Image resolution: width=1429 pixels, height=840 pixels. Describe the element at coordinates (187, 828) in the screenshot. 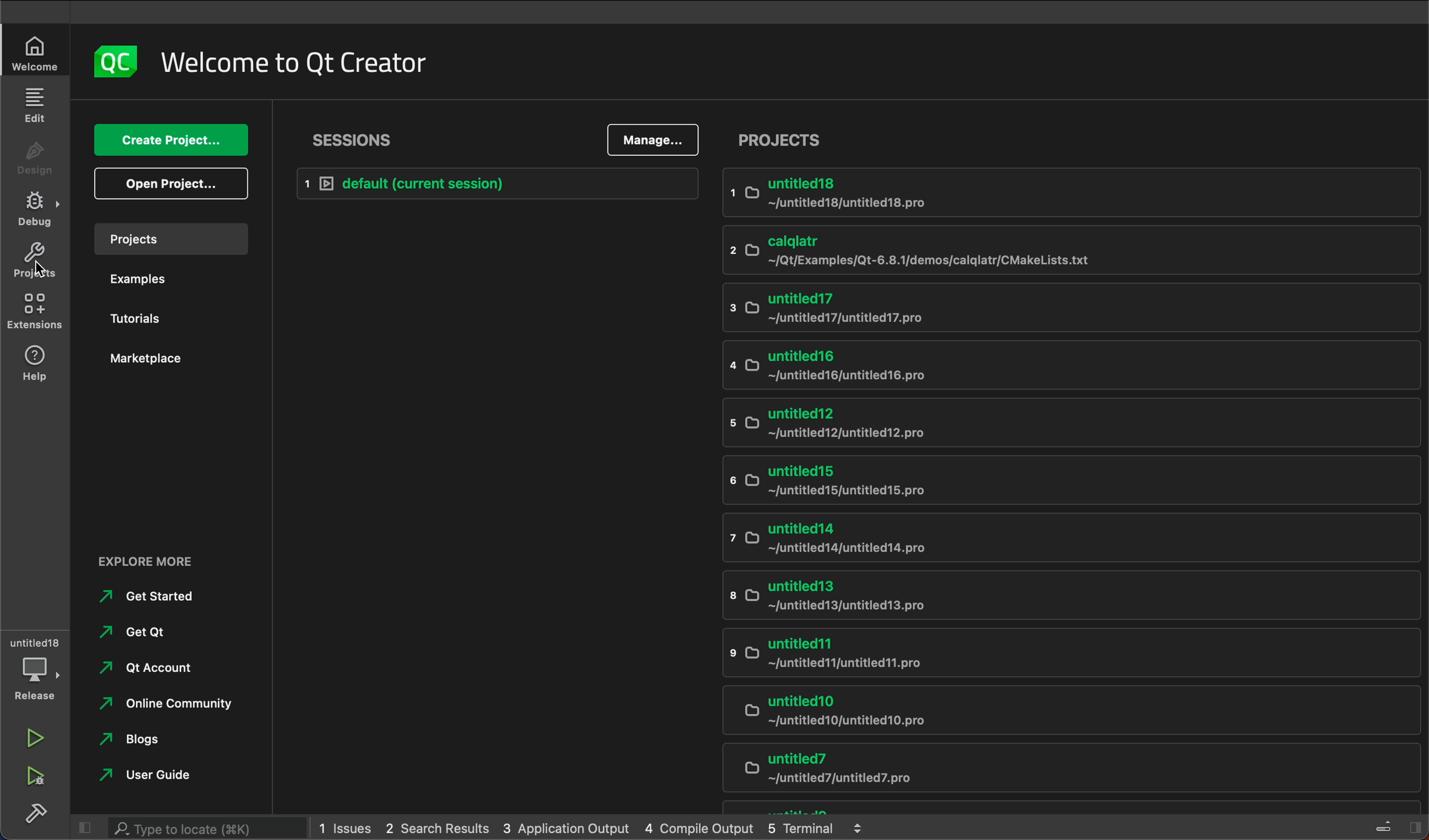

I see `type` at that location.